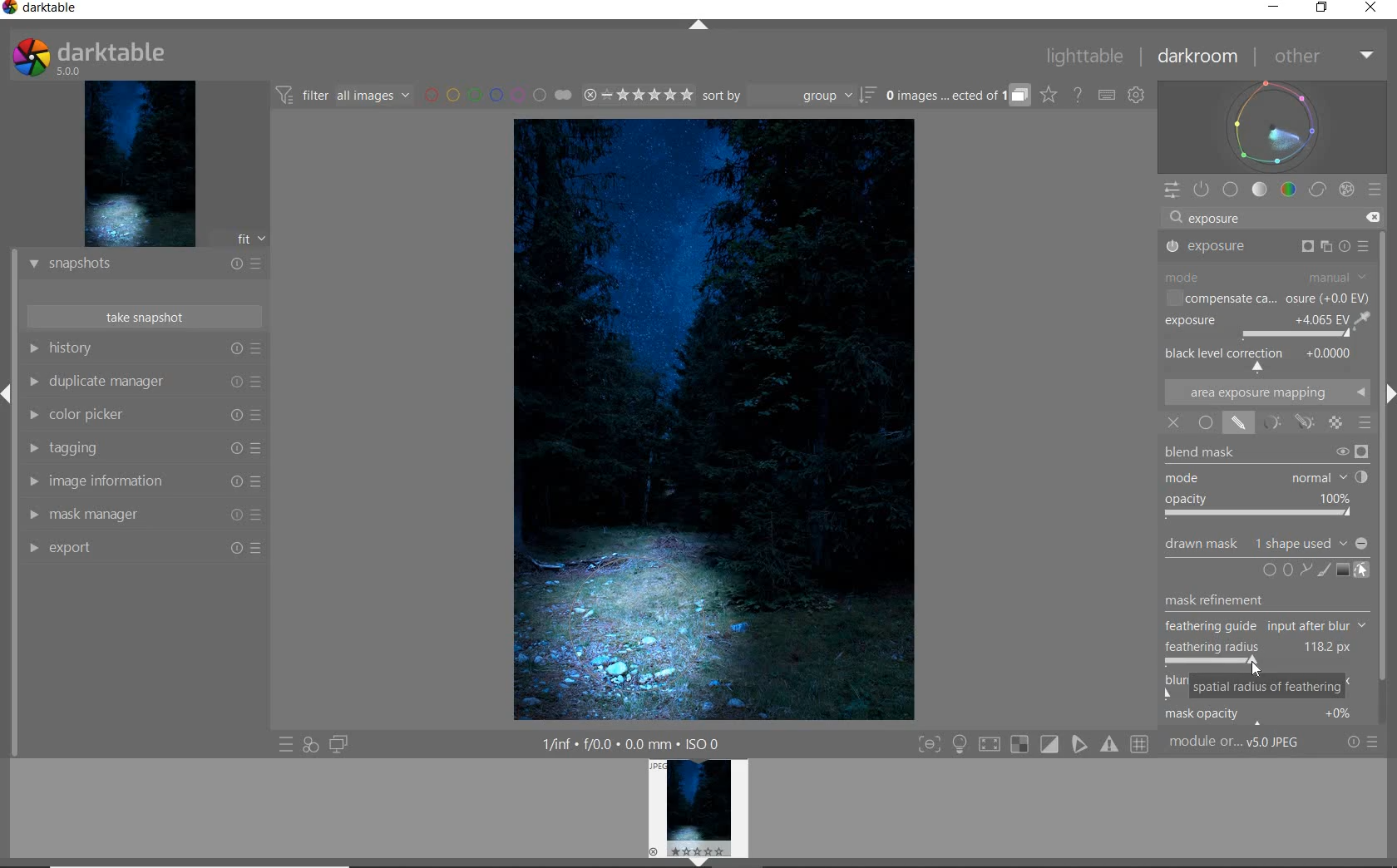 This screenshot has width=1397, height=868. What do you see at coordinates (1376, 188) in the screenshot?
I see `PRESETS` at bounding box center [1376, 188].